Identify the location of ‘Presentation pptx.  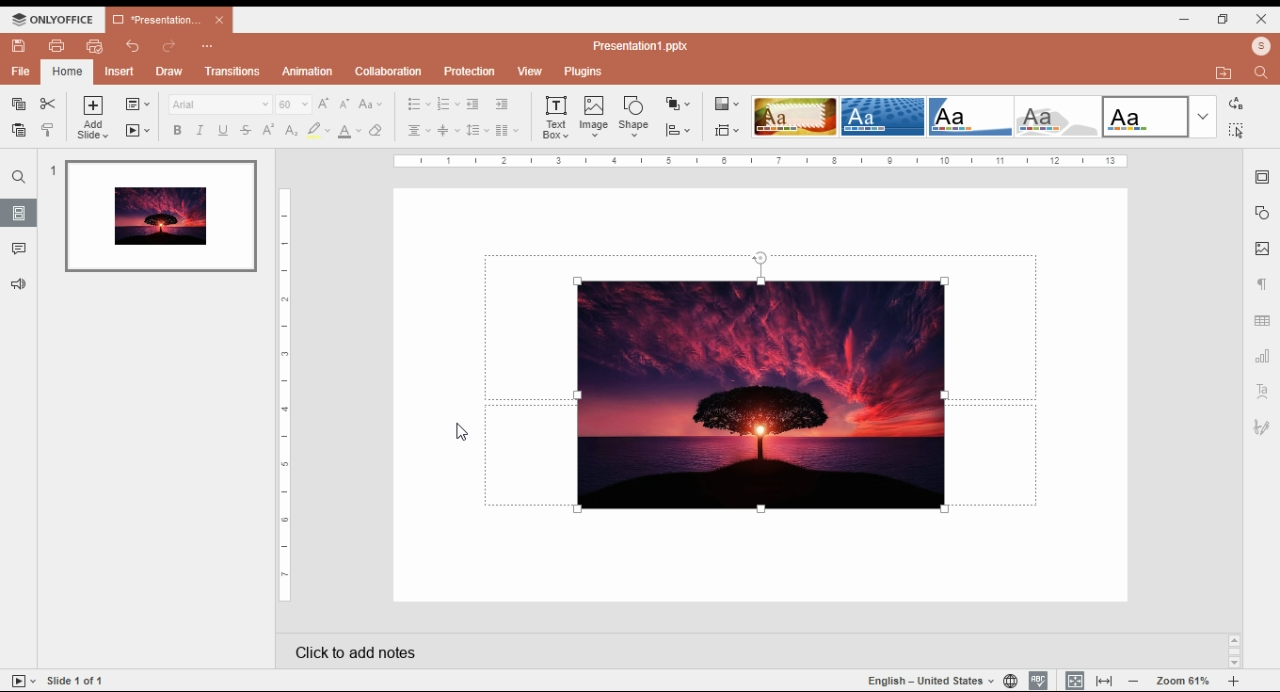
(642, 46).